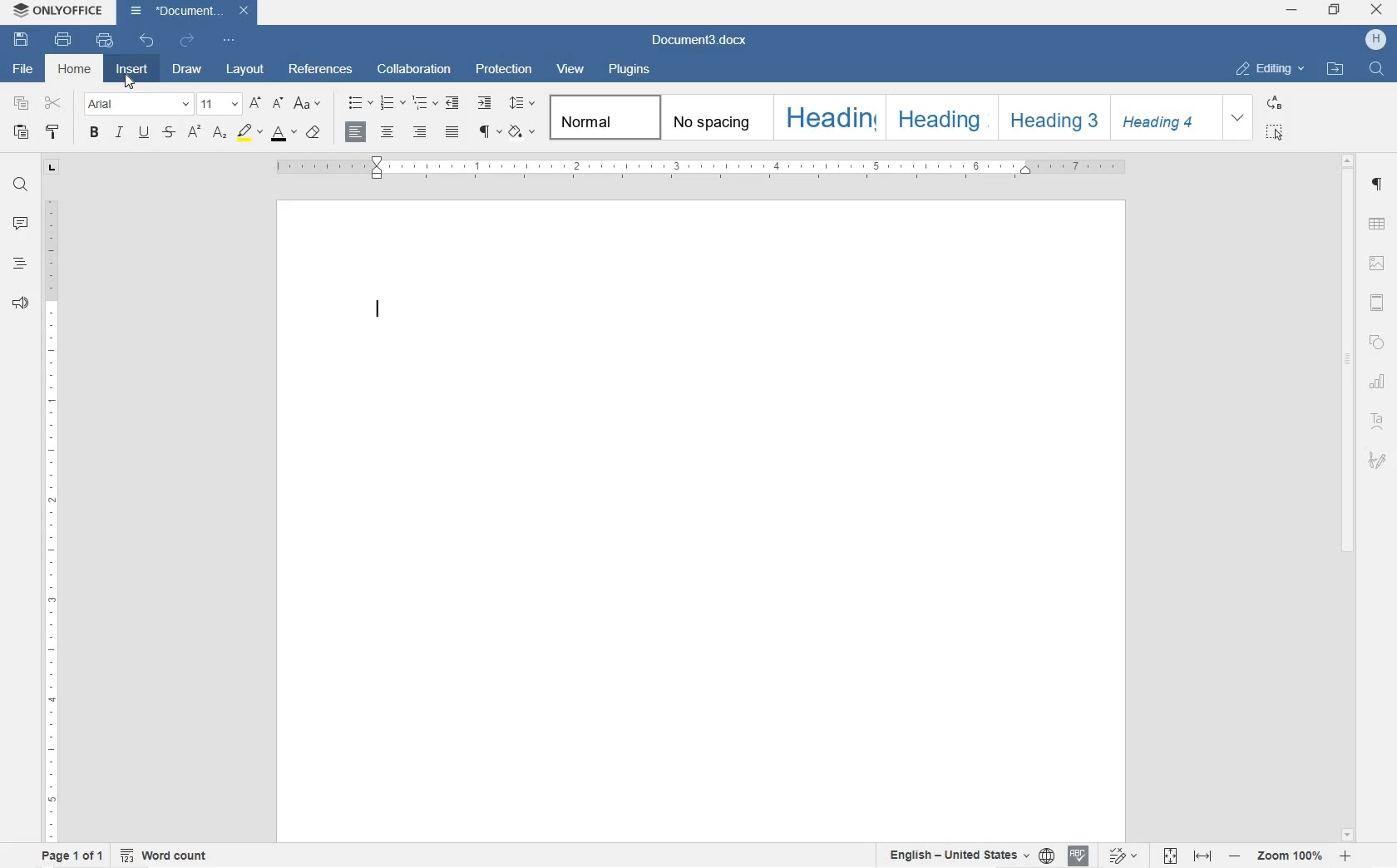 This screenshot has width=1397, height=868. I want to click on WORD COUNT, so click(165, 854).